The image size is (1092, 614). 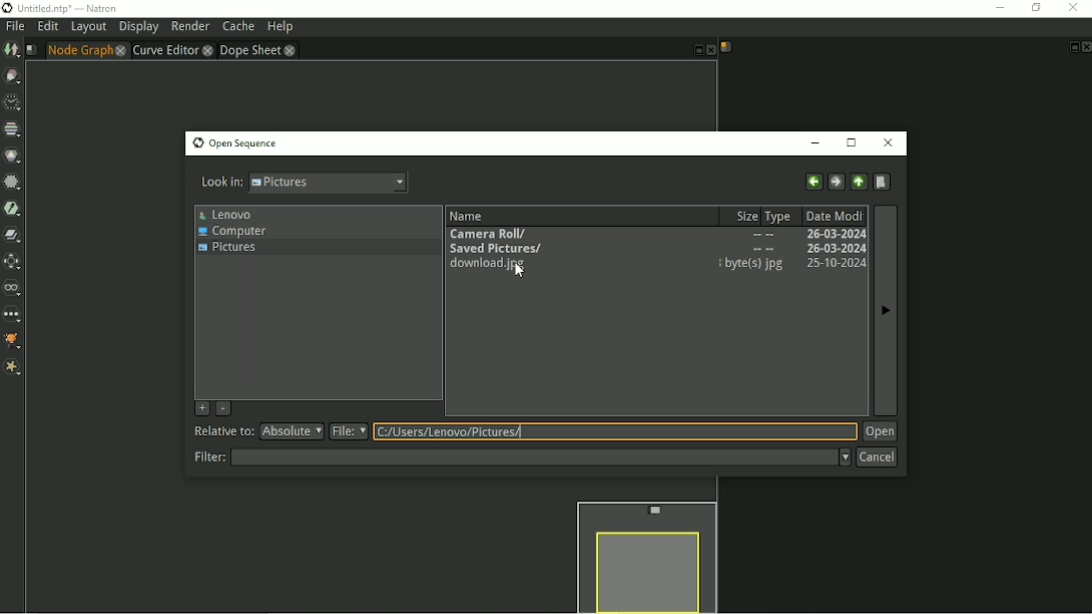 I want to click on Views, so click(x=13, y=288).